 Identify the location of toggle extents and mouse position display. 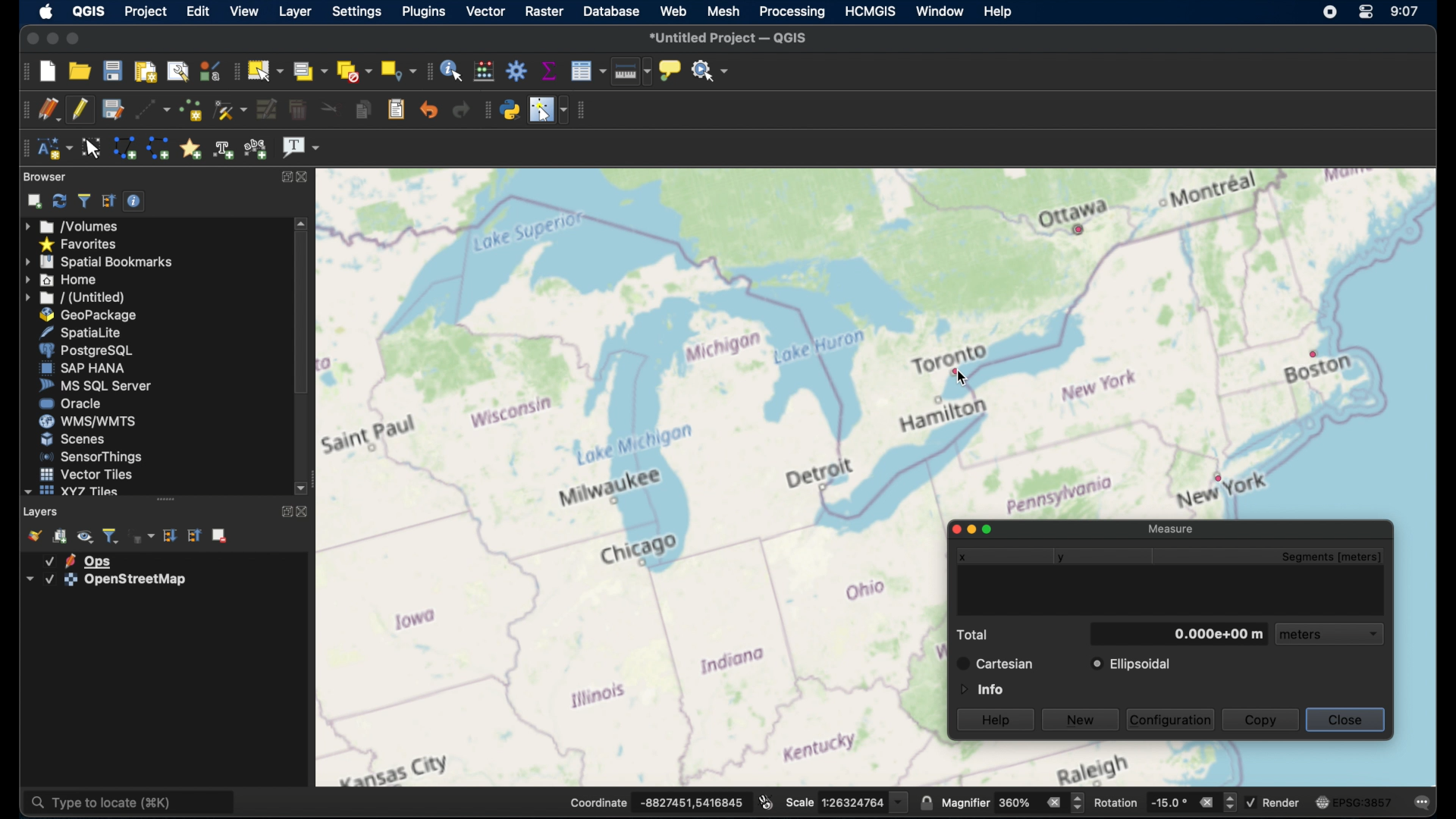
(766, 801).